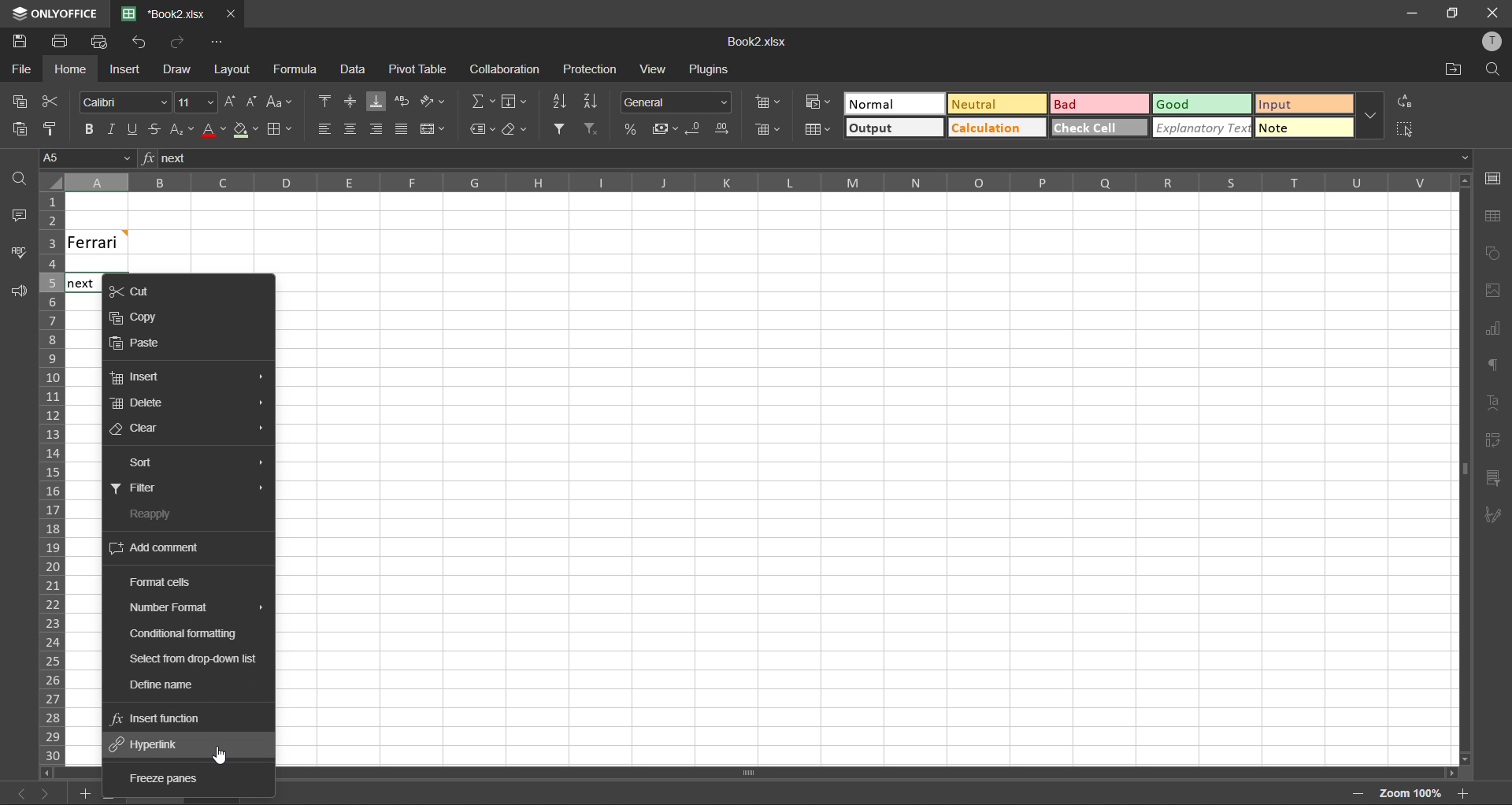 Image resolution: width=1512 pixels, height=805 pixels. Describe the element at coordinates (279, 130) in the screenshot. I see `borders` at that location.